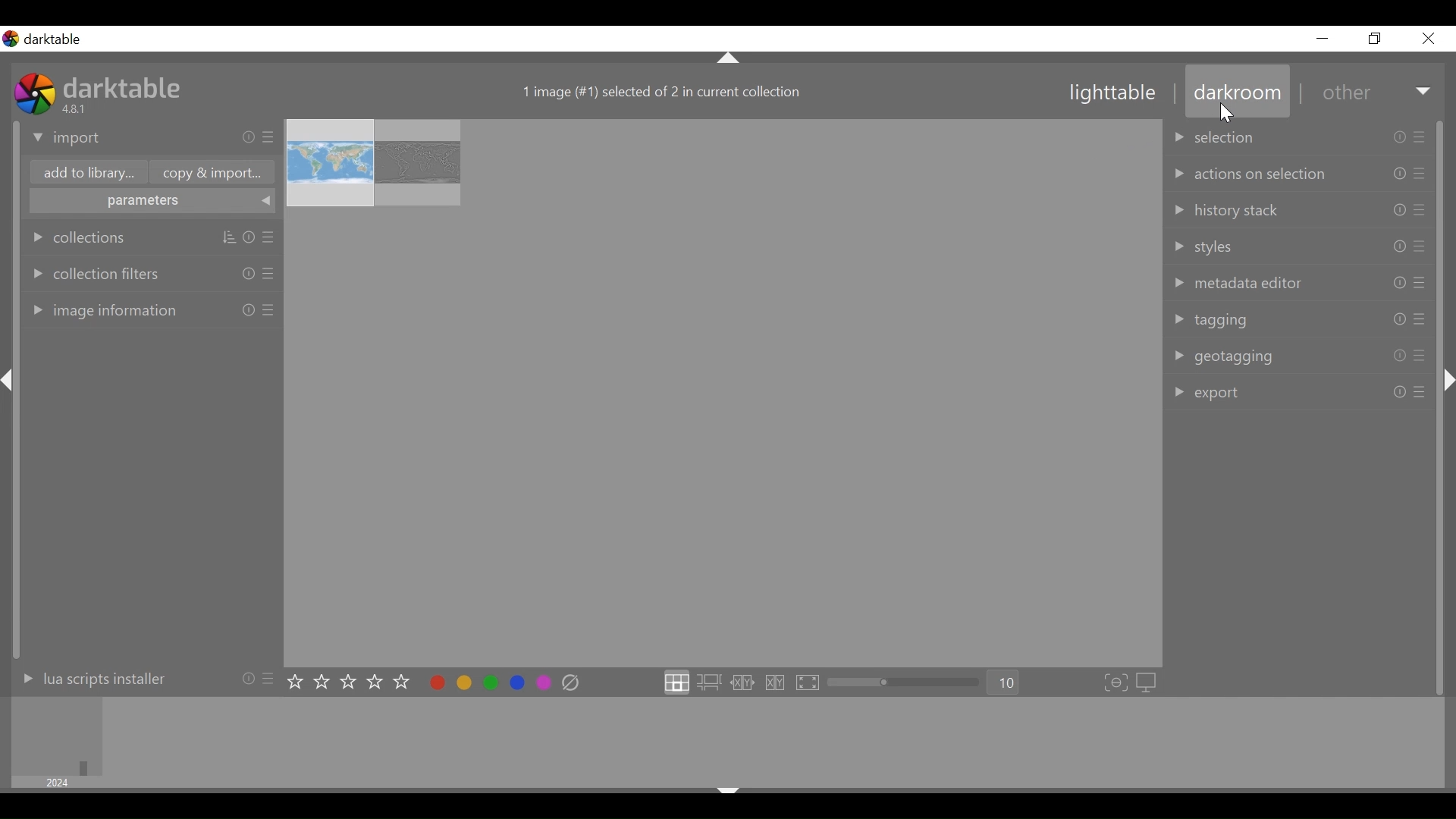  Describe the element at coordinates (59, 783) in the screenshot. I see `2024` at that location.